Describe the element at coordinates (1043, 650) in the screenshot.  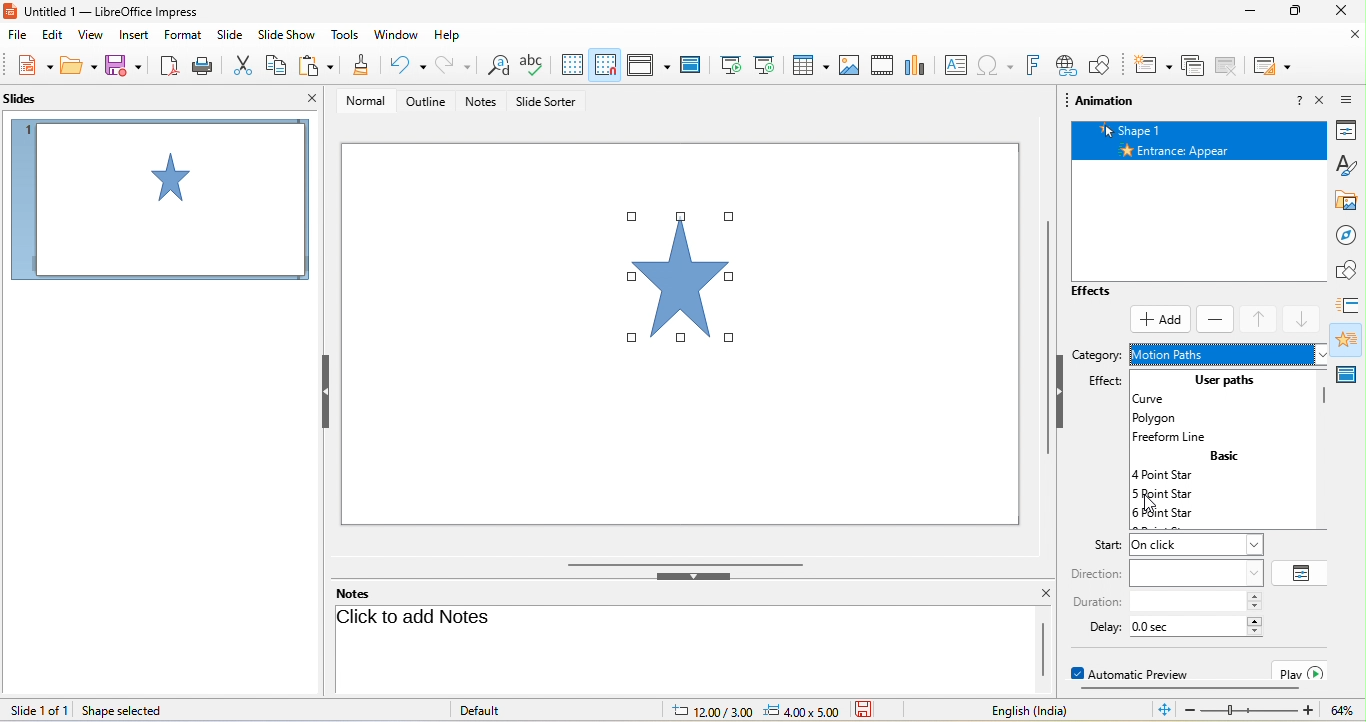
I see `scrollbar` at that location.